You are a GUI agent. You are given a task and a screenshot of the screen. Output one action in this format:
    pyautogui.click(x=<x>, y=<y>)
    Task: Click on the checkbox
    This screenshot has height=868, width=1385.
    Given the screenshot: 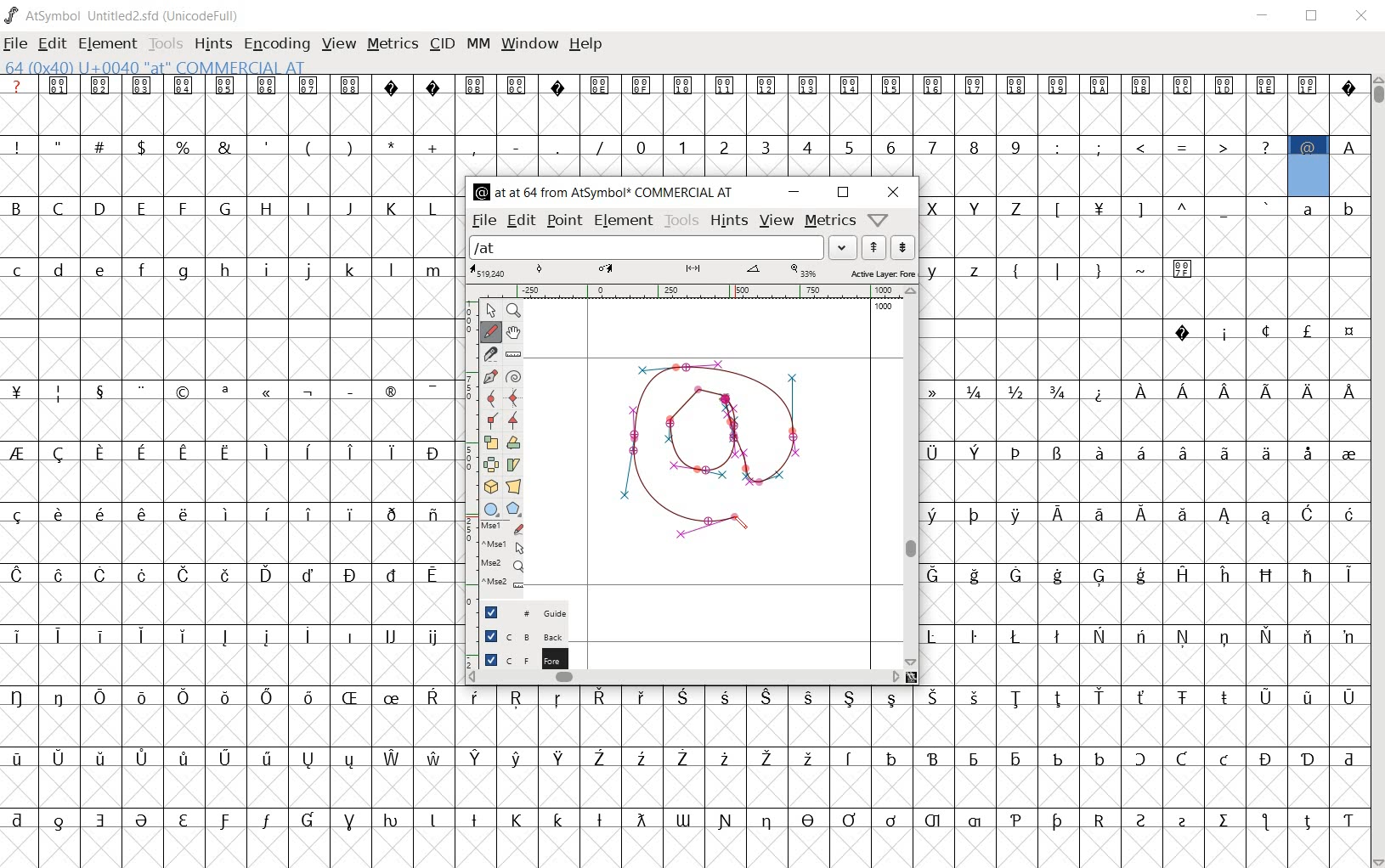 What is the action you would take?
    pyautogui.click(x=490, y=658)
    